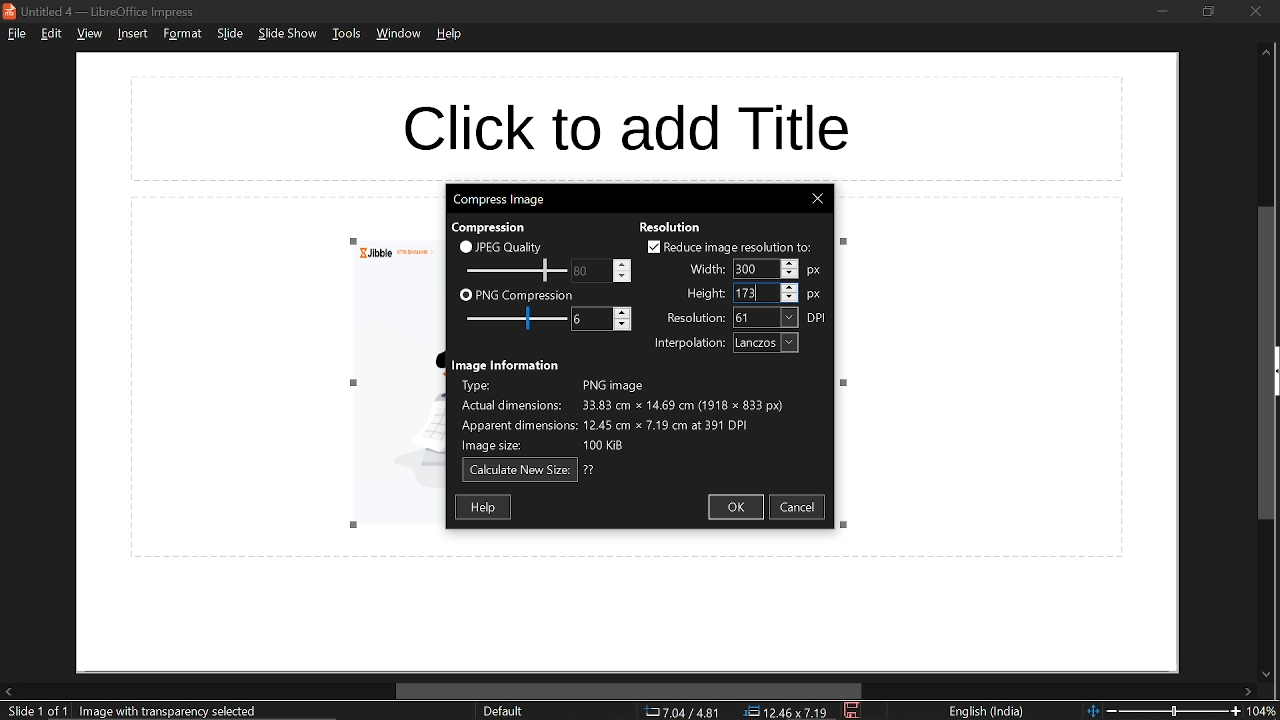  What do you see at coordinates (450, 38) in the screenshot?
I see `help` at bounding box center [450, 38].